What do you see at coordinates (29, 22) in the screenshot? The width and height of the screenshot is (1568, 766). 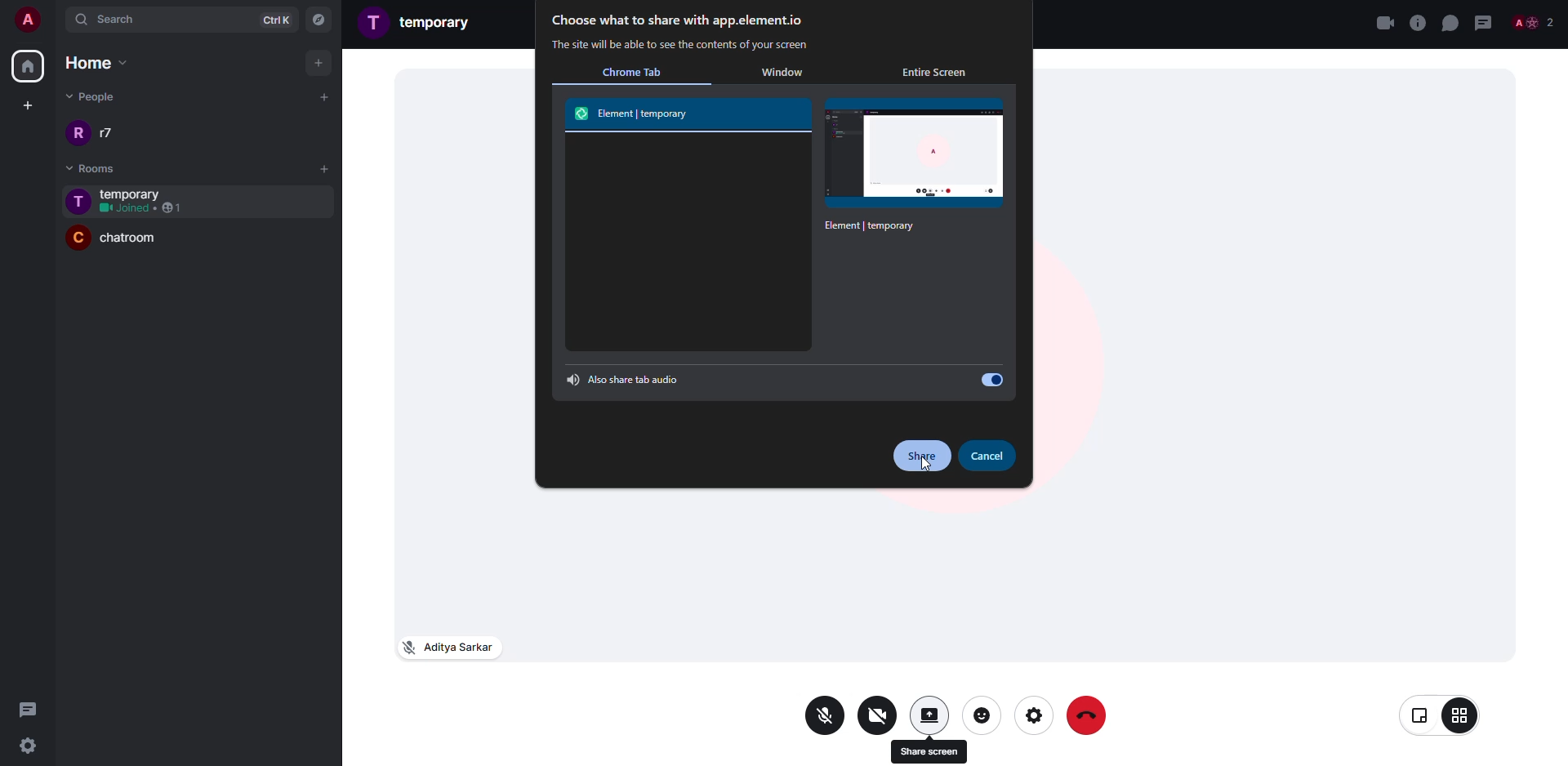 I see `account` at bounding box center [29, 22].